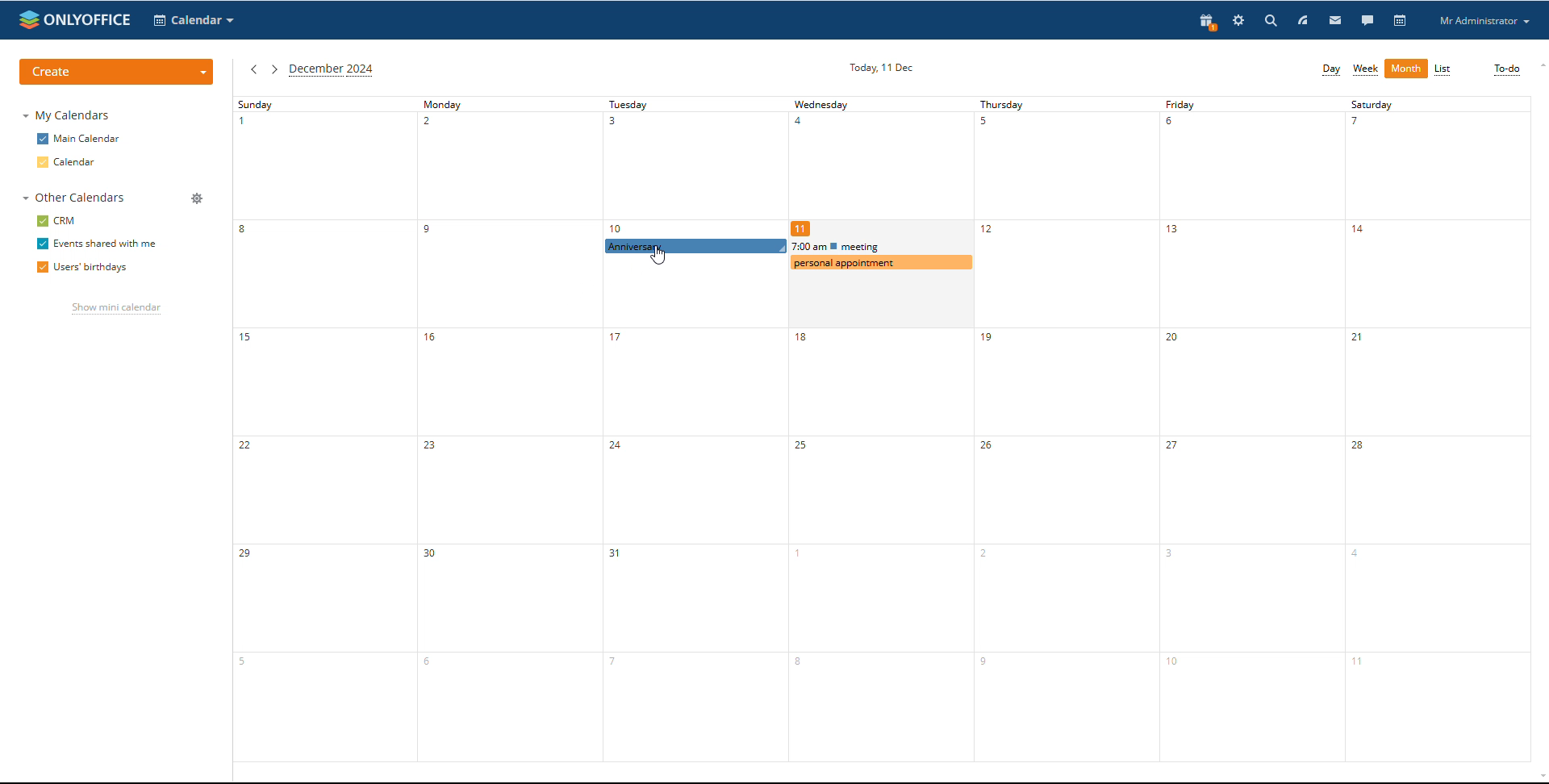 The image size is (1549, 784). What do you see at coordinates (1273, 20) in the screenshot?
I see `search` at bounding box center [1273, 20].